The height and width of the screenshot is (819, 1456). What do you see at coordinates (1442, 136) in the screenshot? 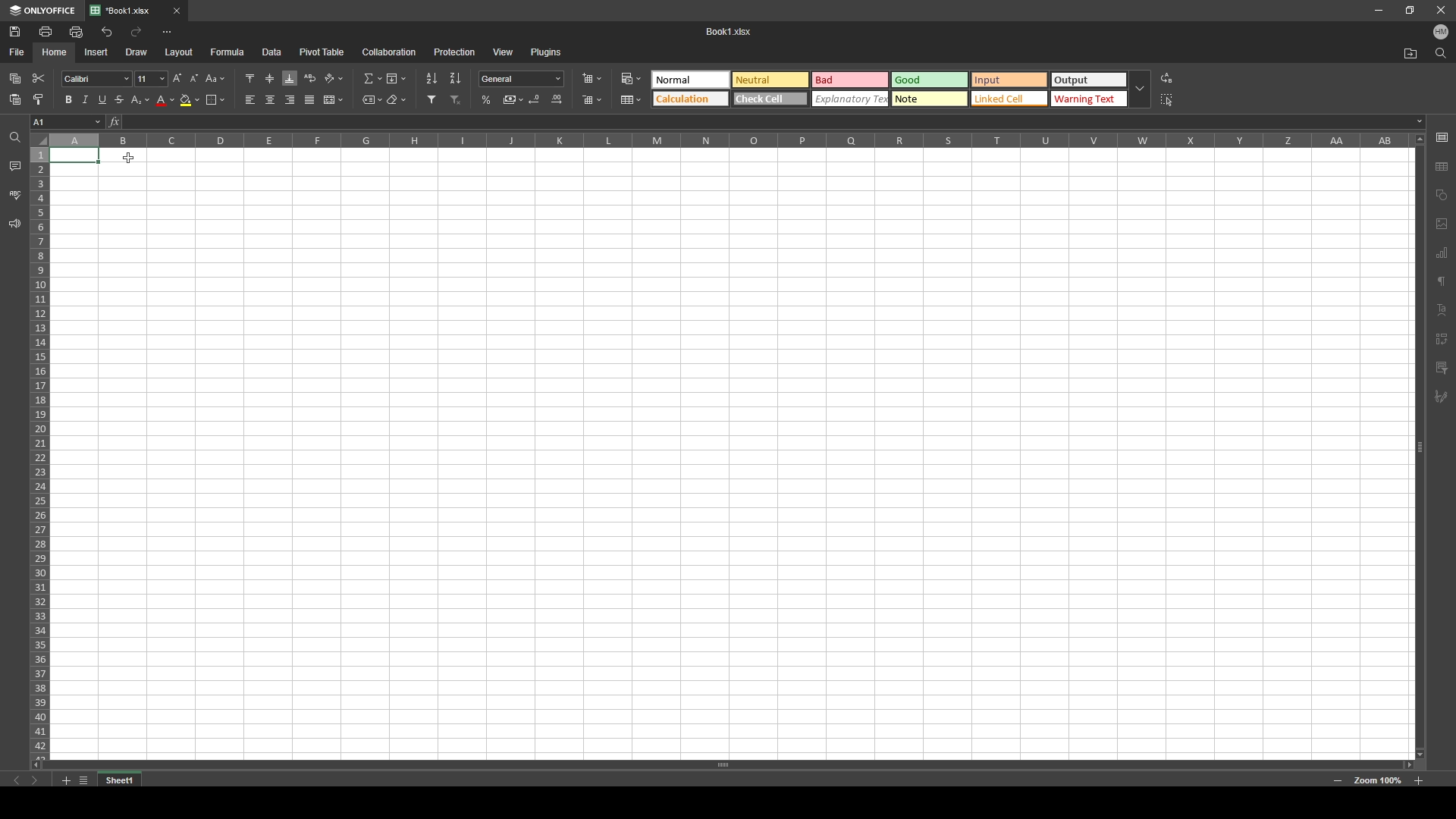
I see `cell settings` at bounding box center [1442, 136].